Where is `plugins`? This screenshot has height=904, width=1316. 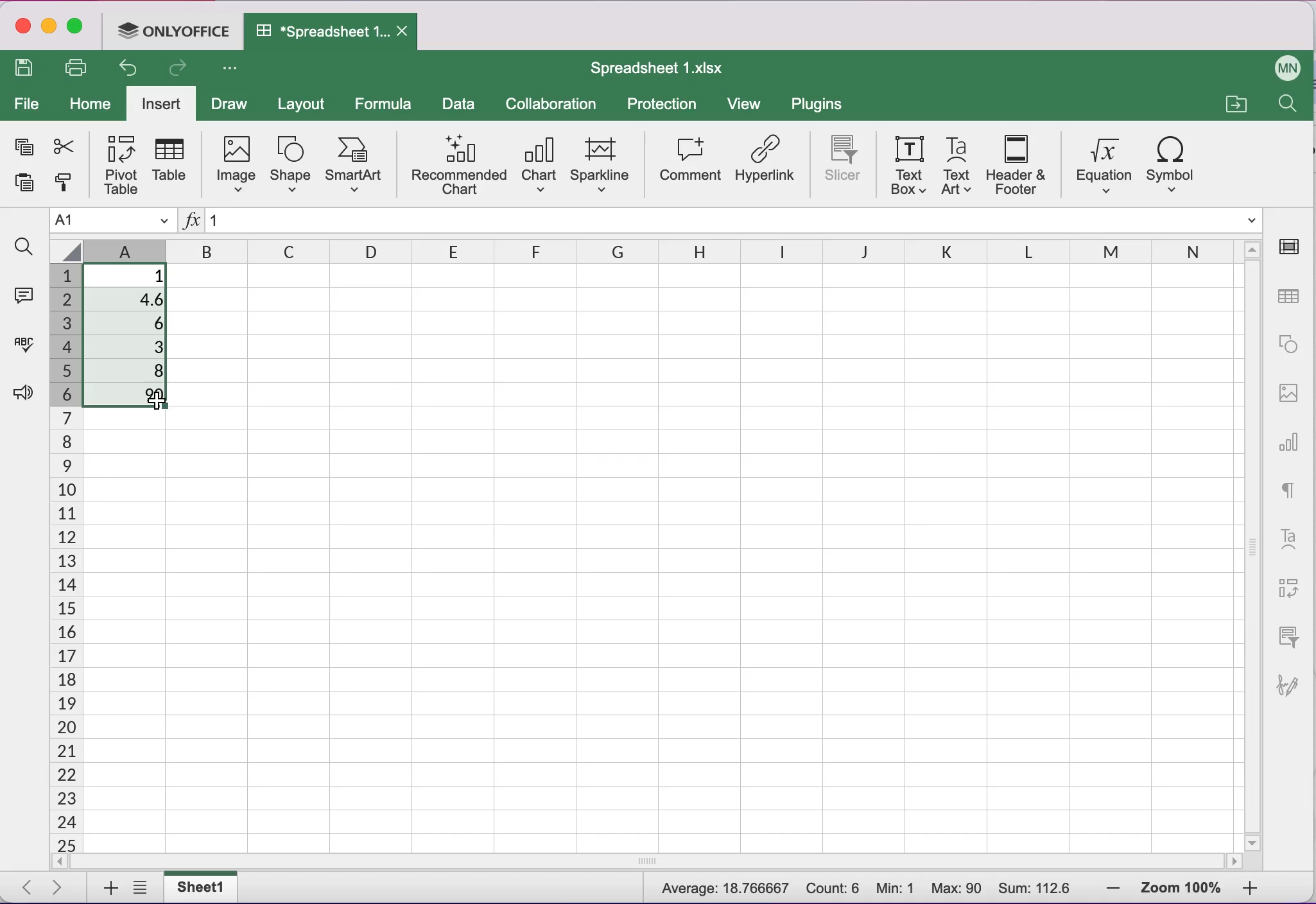
plugins is located at coordinates (818, 105).